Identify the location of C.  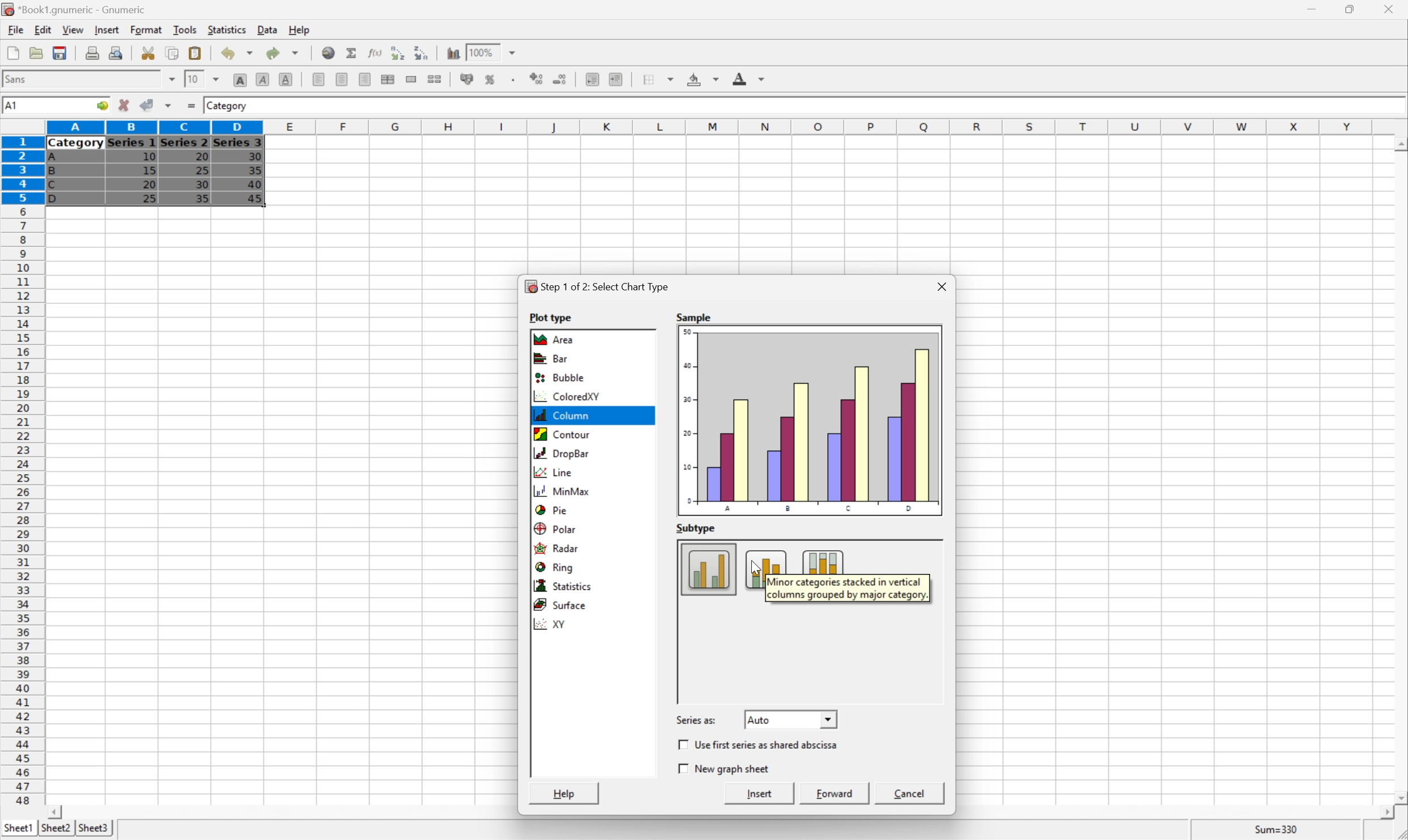
(52, 186).